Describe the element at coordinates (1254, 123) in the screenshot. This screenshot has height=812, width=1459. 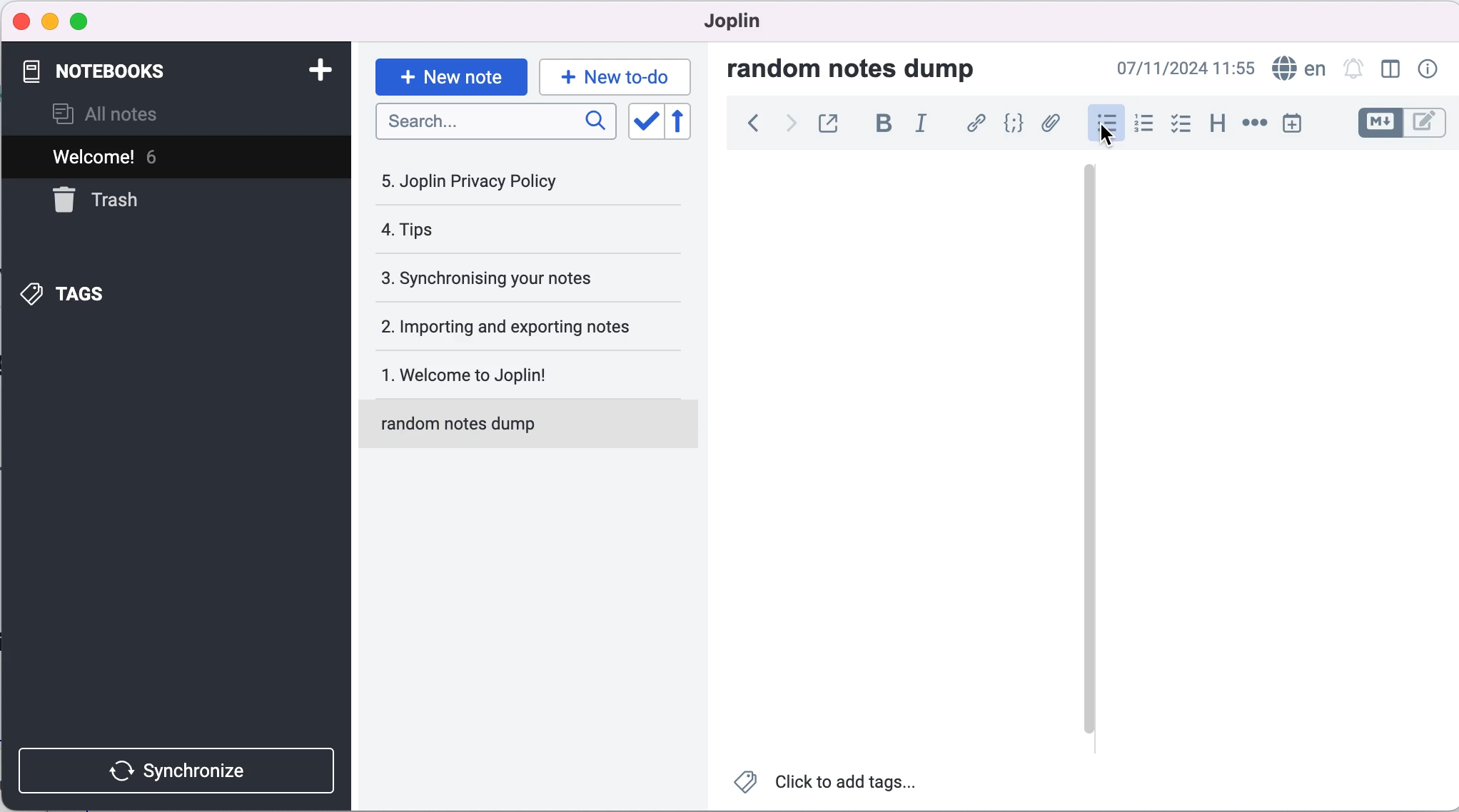
I see `horizontal rule` at that location.